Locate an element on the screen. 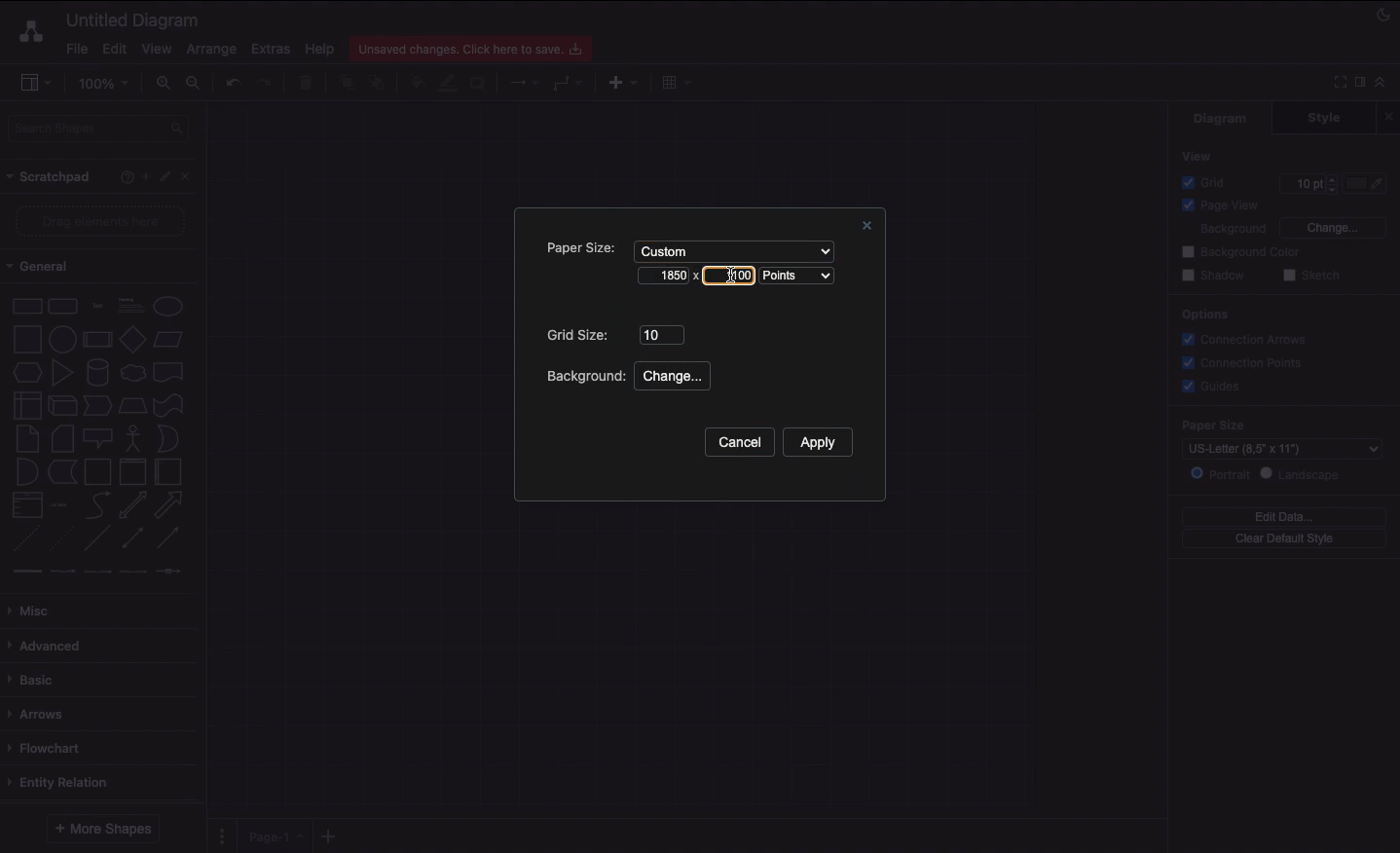 The width and height of the screenshot is (1400, 853). US-Letter (8.5" x 11") is located at coordinates (1281, 449).